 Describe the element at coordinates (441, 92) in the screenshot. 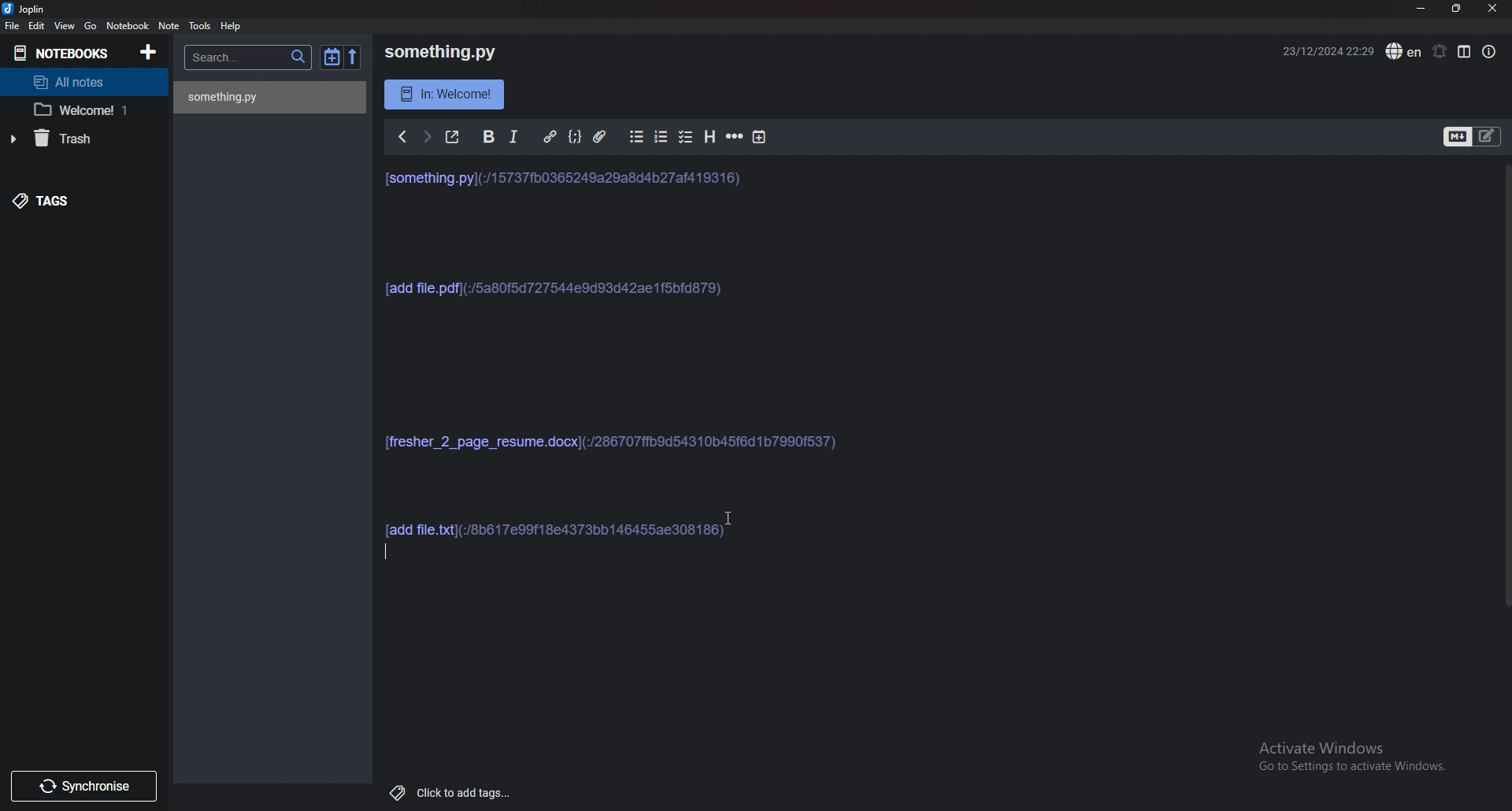

I see `| B In: Welcome! |` at that location.